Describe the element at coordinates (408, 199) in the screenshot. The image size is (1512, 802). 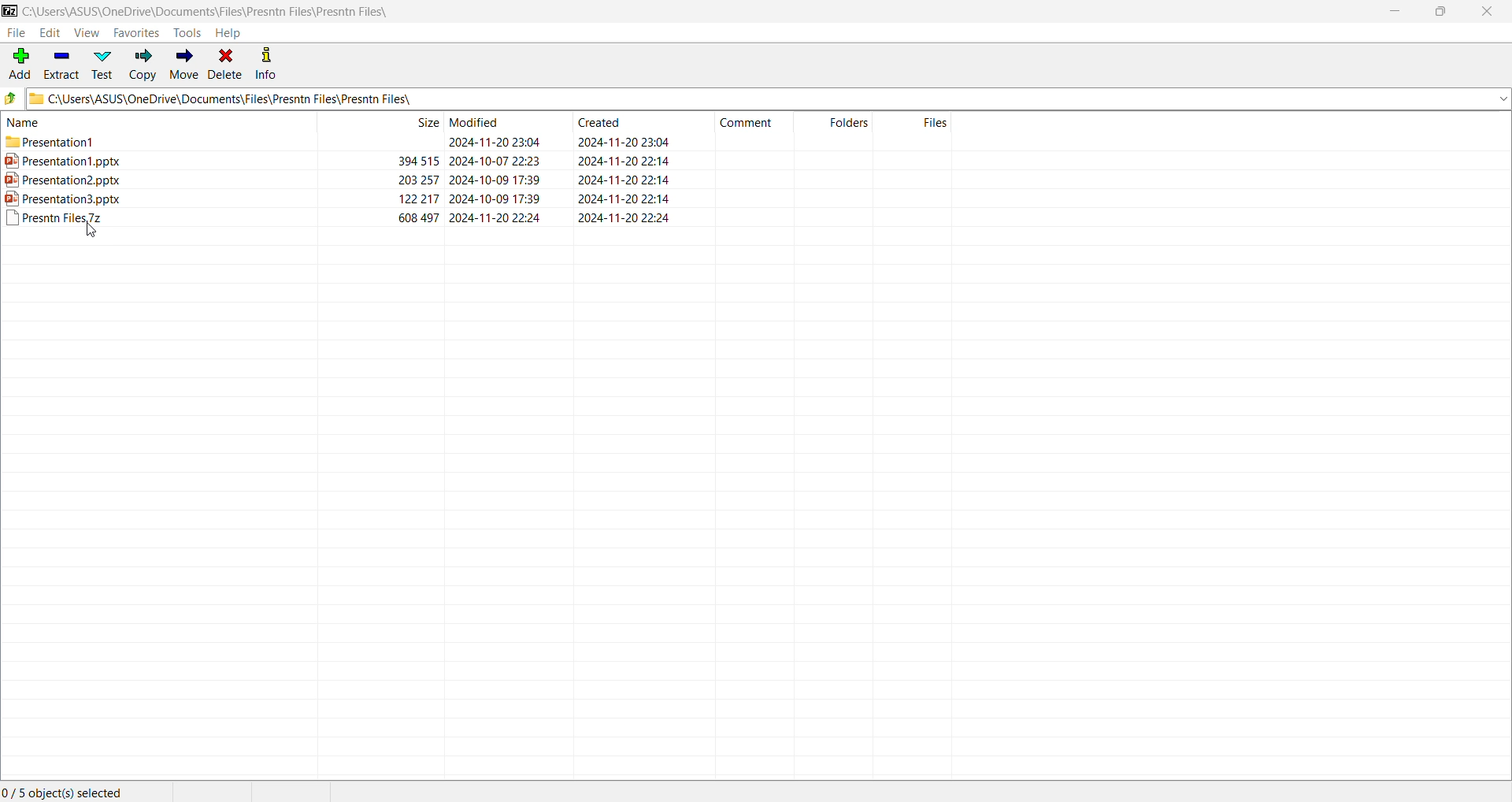
I see `122 217` at that location.